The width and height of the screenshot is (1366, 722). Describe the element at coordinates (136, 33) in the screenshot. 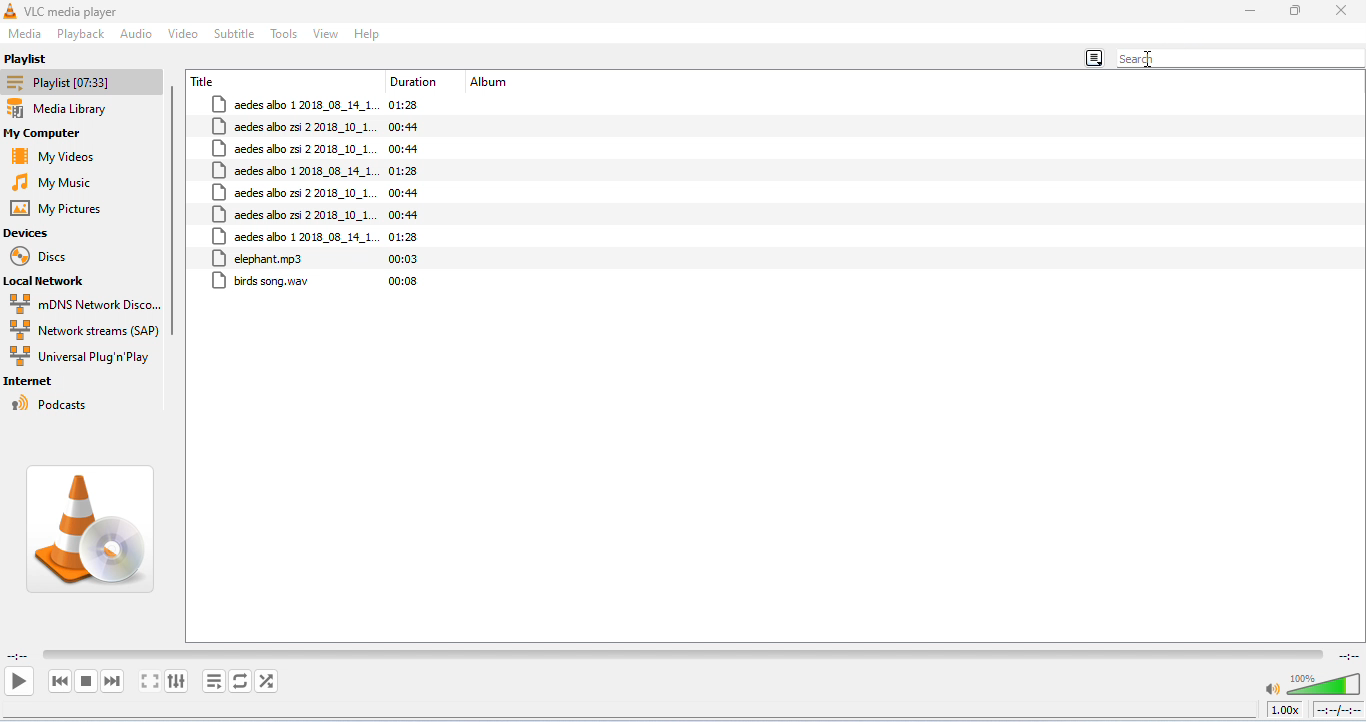

I see `audio` at that location.